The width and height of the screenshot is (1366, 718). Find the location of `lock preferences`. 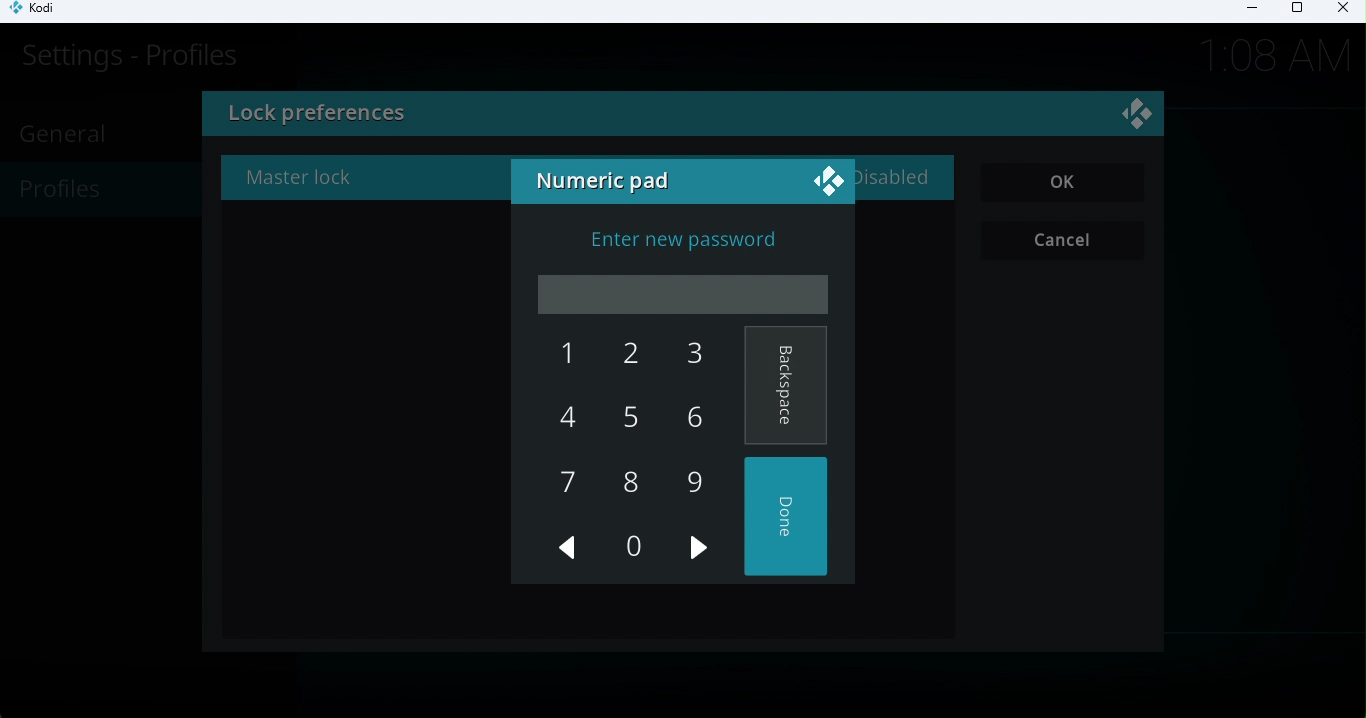

lock preferences is located at coordinates (470, 116).